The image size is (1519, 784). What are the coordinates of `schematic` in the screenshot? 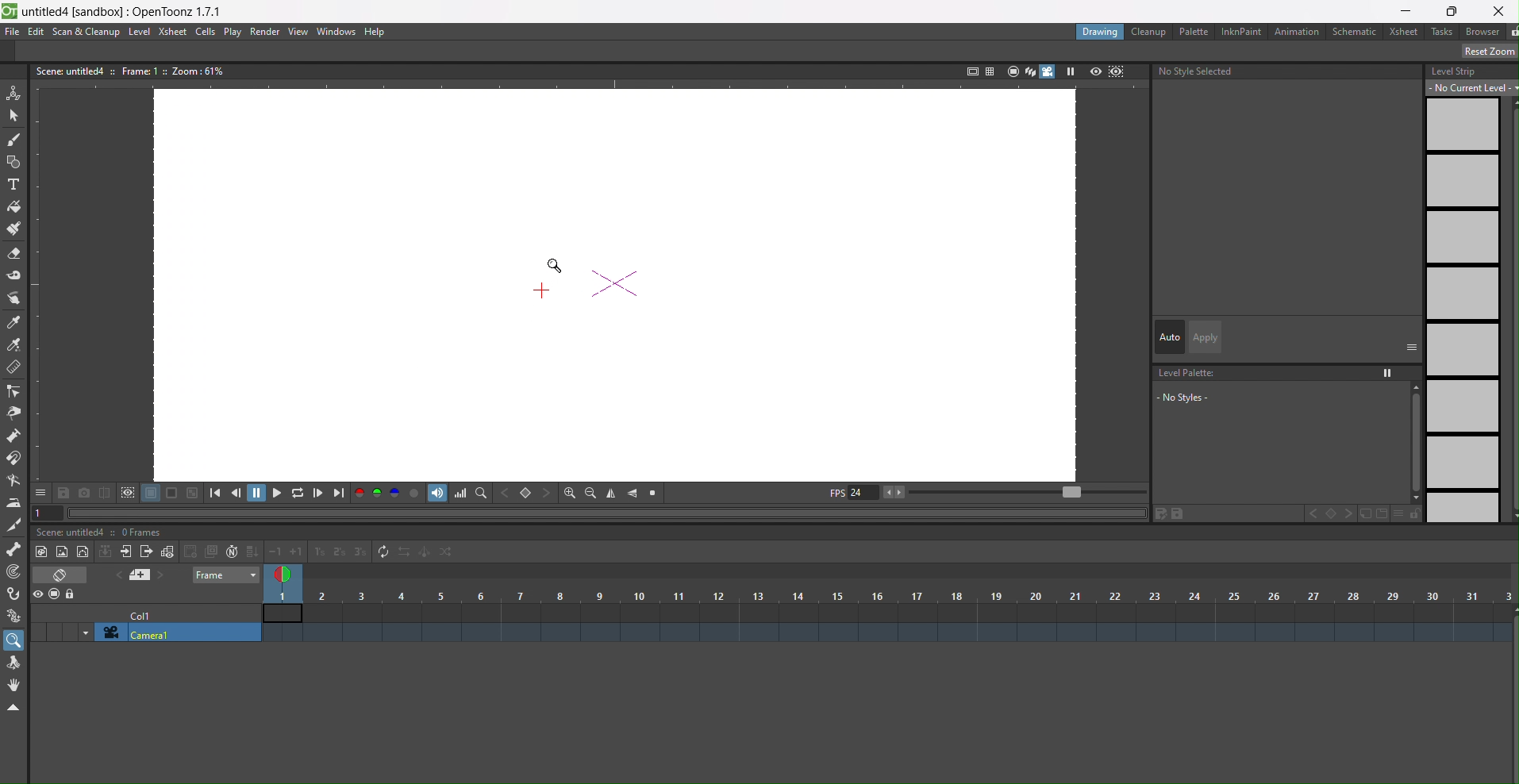 It's located at (1356, 31).